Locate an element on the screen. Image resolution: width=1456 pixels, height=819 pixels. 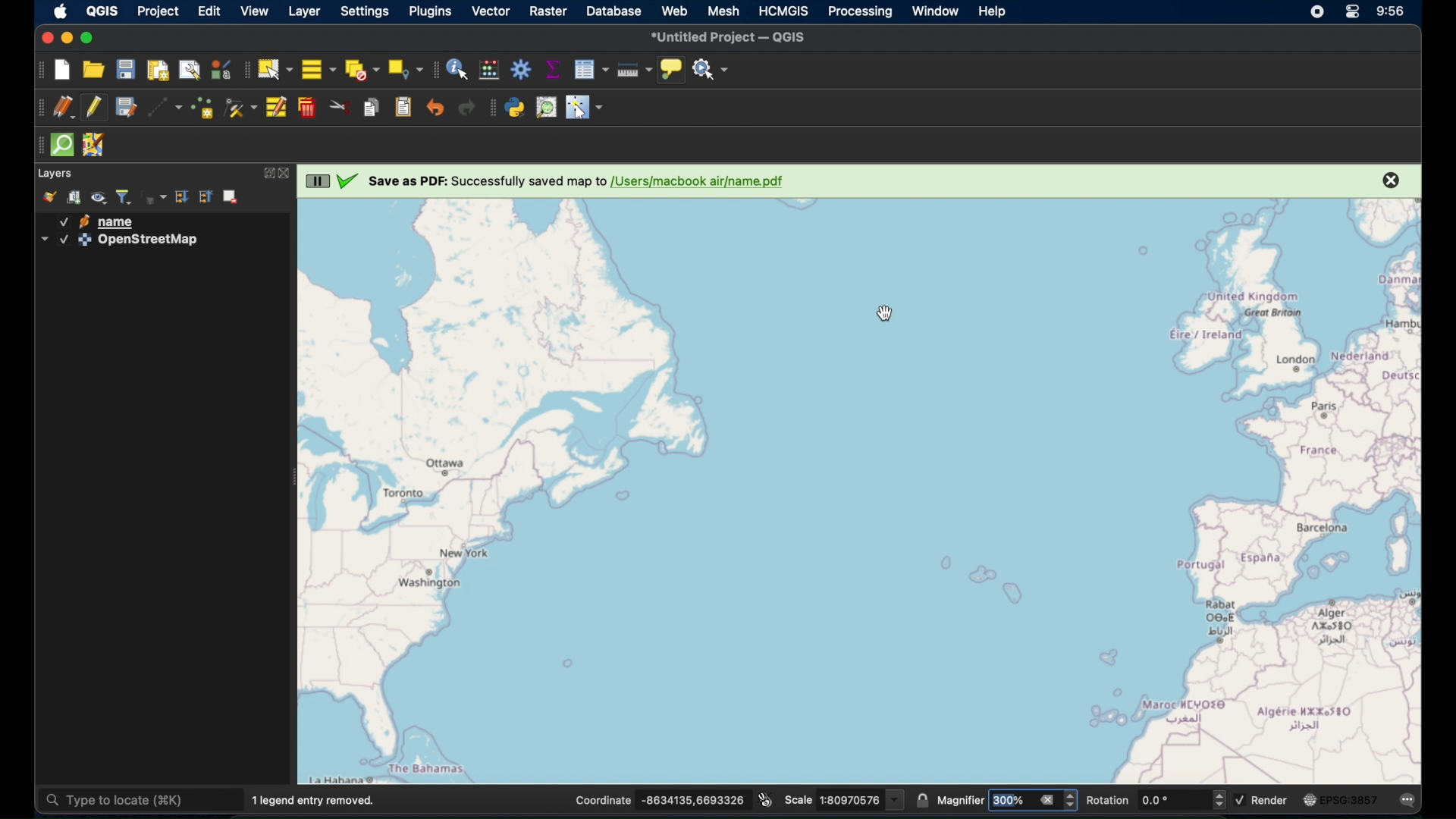
messages is located at coordinates (1410, 801).